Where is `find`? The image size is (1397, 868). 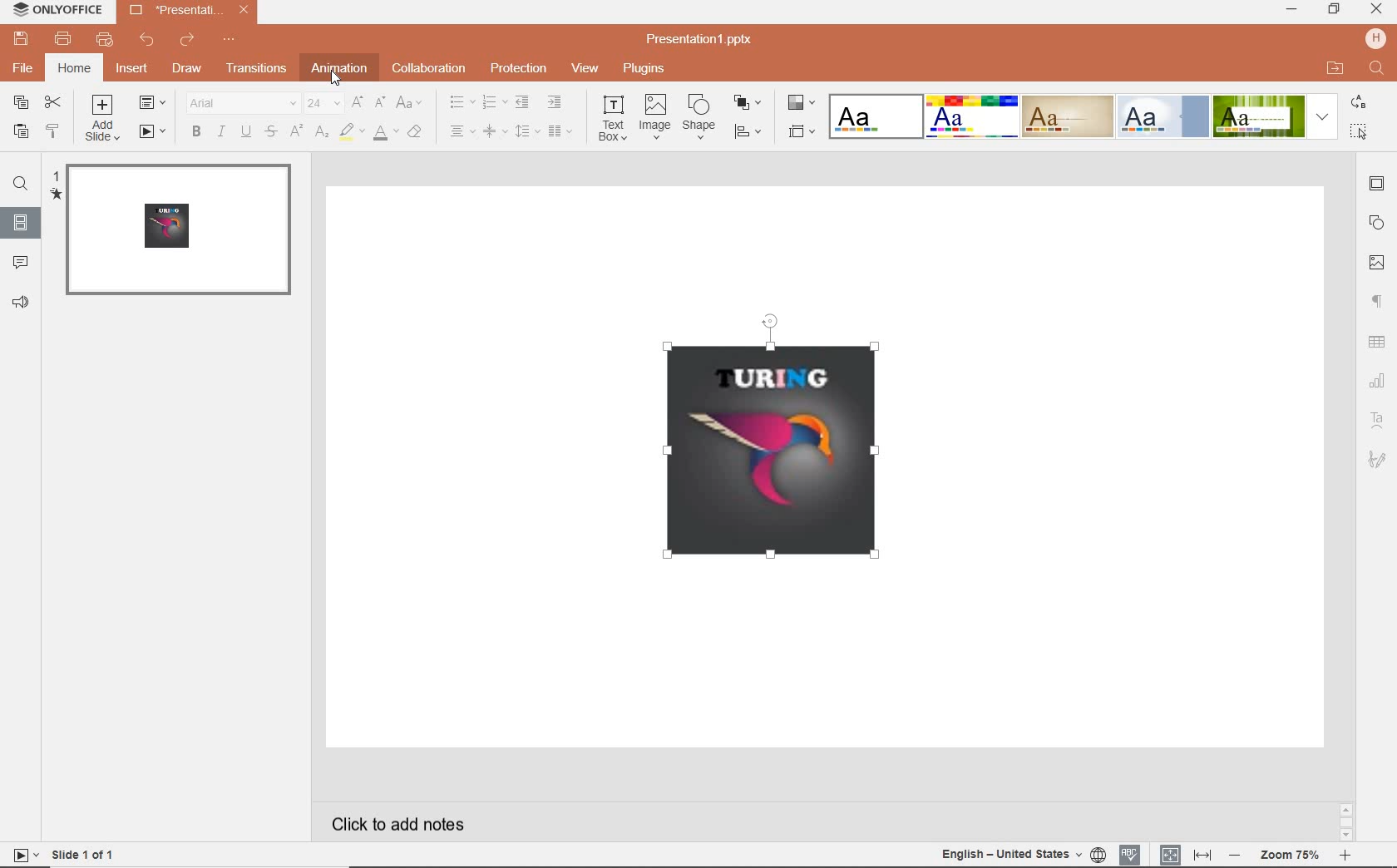 find is located at coordinates (22, 184).